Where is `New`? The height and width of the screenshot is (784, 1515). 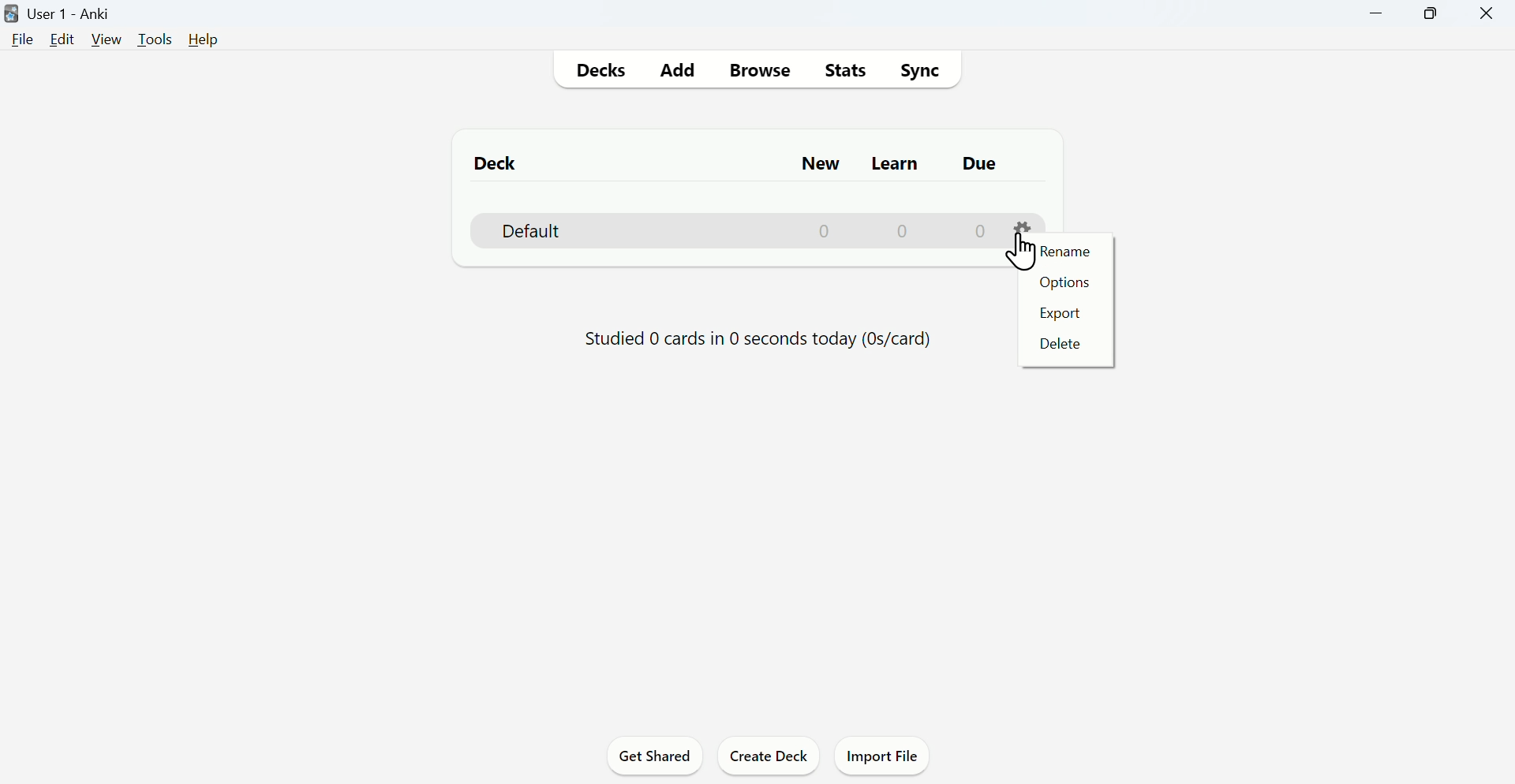 New is located at coordinates (818, 164).